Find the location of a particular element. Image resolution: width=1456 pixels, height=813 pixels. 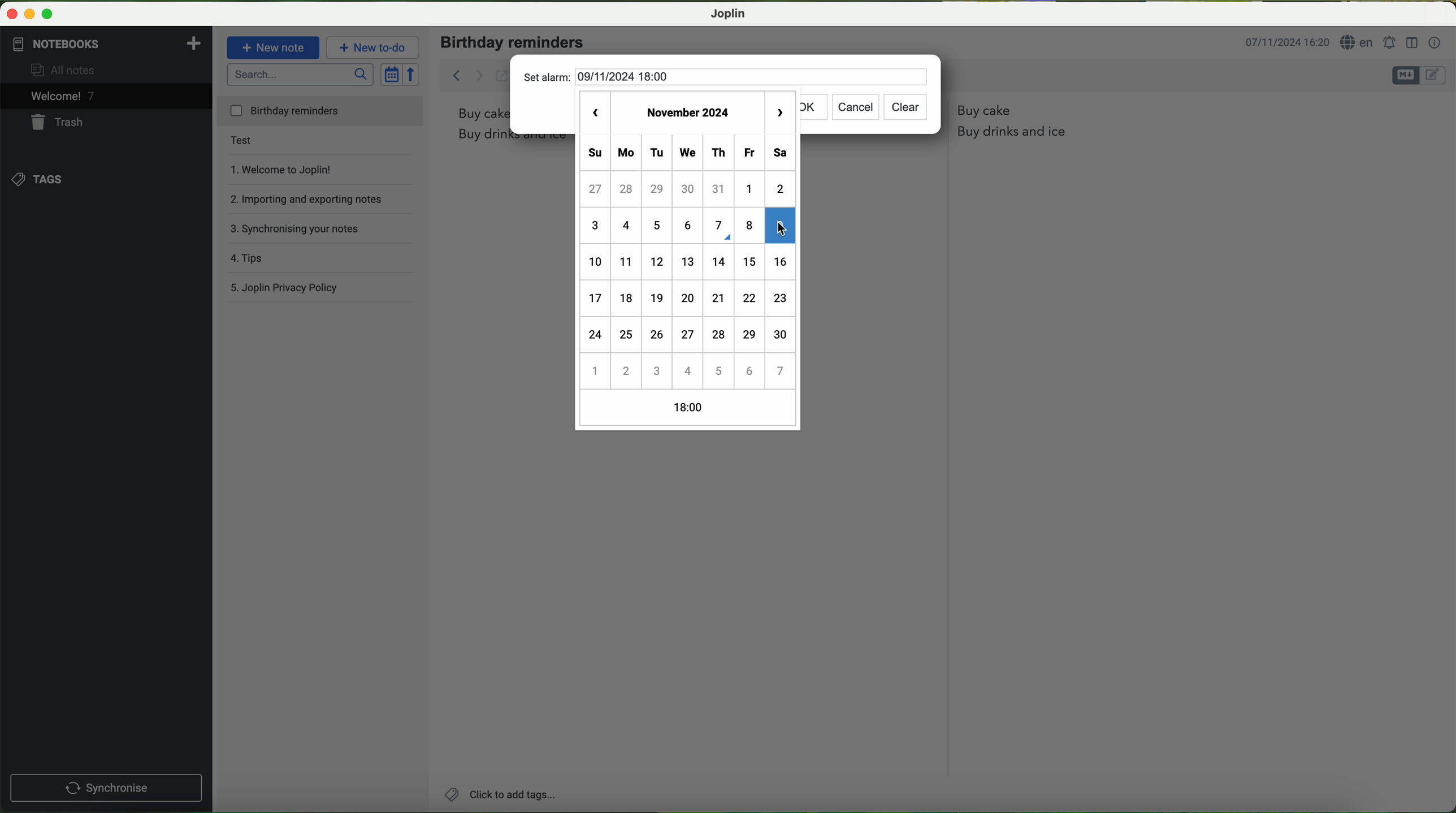

new note button is located at coordinates (272, 47).